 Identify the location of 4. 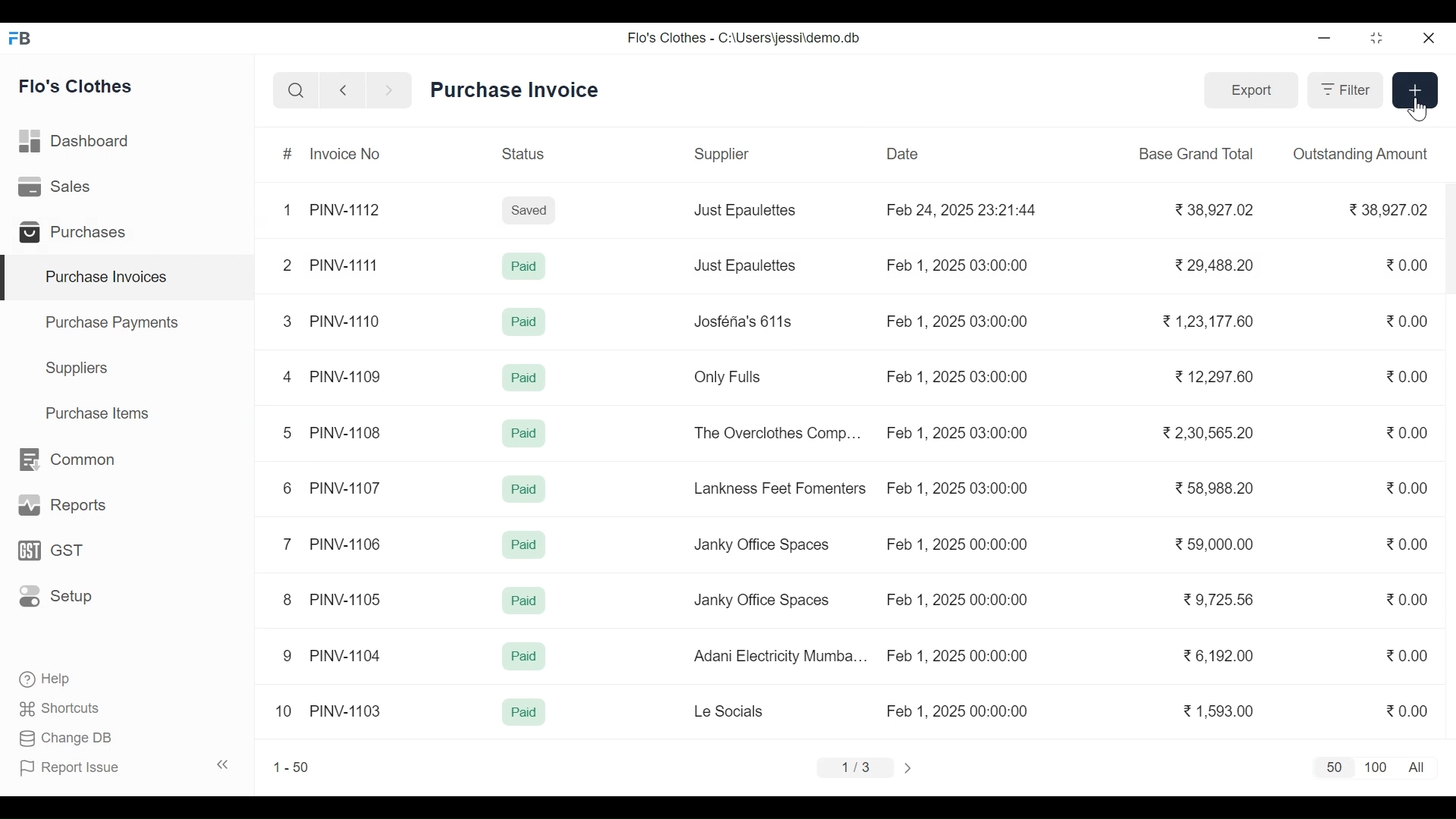
(287, 377).